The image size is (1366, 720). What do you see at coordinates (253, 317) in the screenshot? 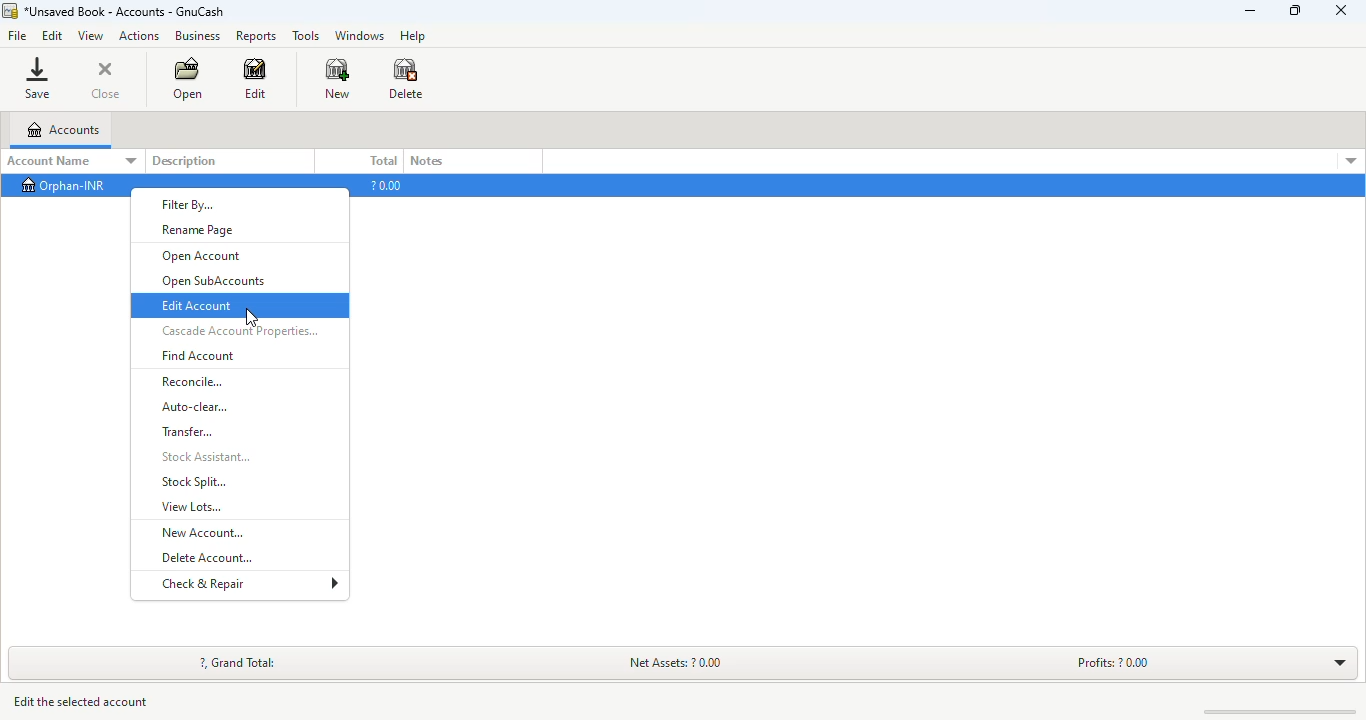
I see `cursor` at bounding box center [253, 317].